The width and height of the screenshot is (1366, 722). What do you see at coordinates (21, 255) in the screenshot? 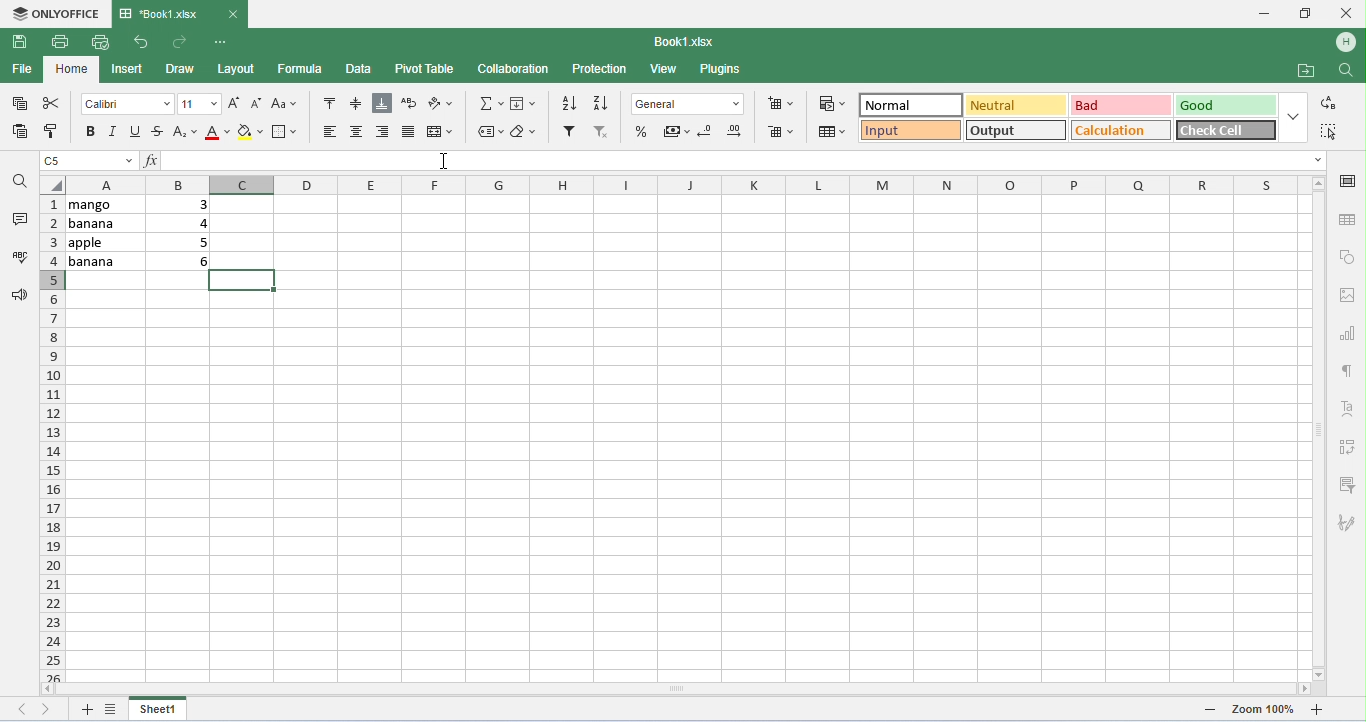
I see `spell checking` at bounding box center [21, 255].